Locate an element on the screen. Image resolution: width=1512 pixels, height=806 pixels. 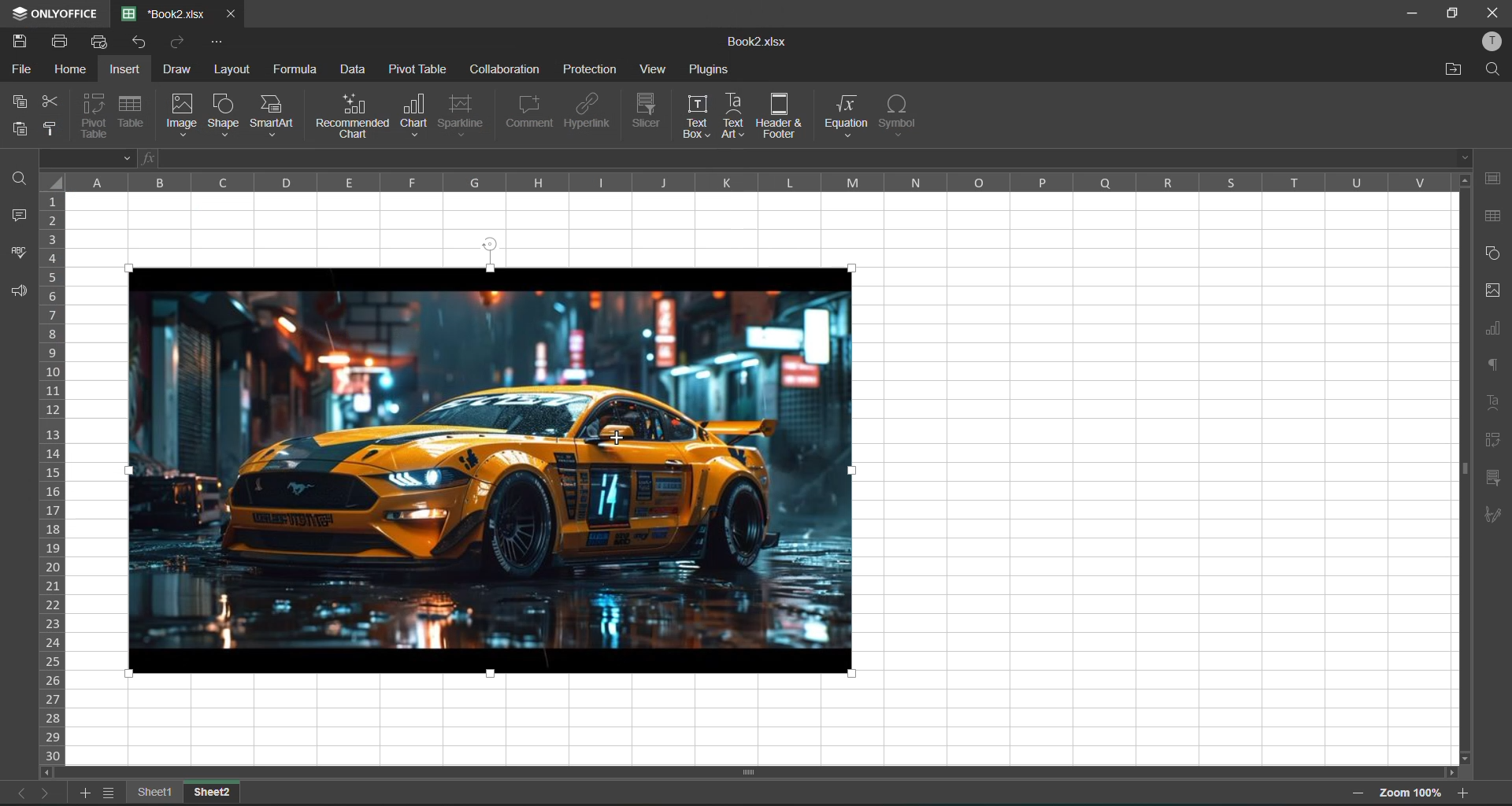
previous is located at coordinates (17, 793).